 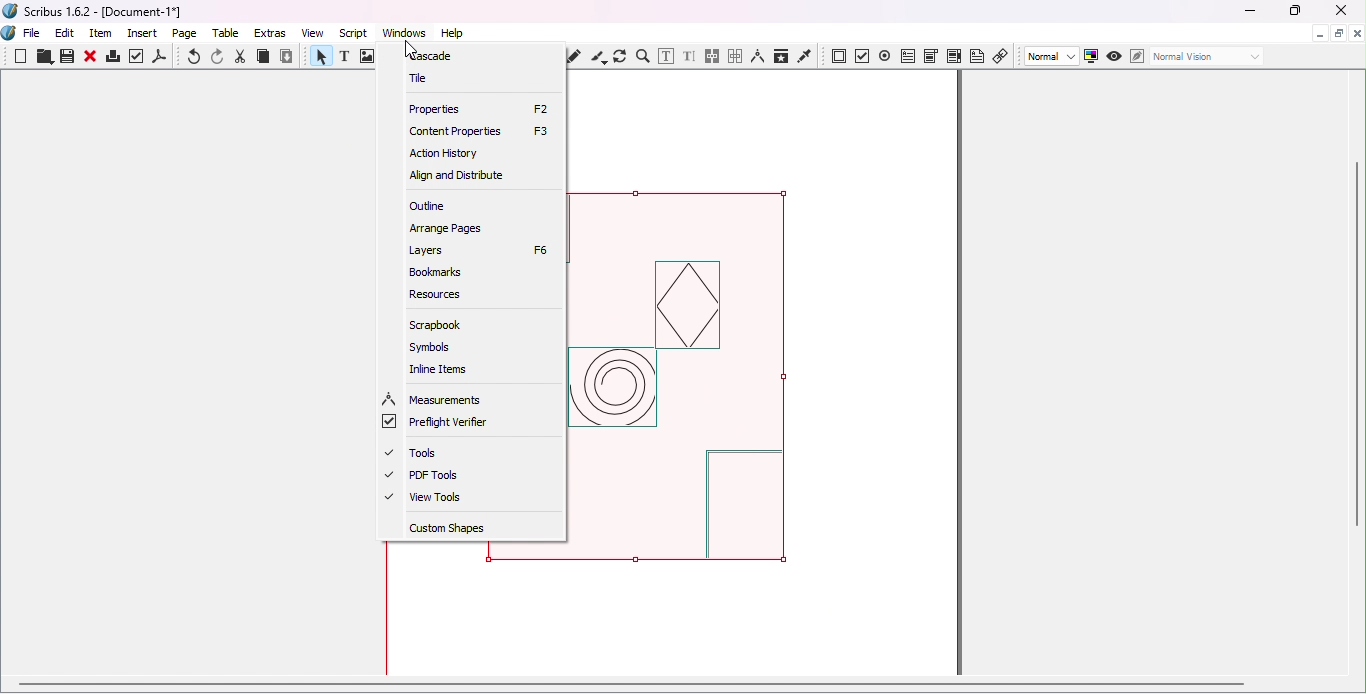 What do you see at coordinates (437, 294) in the screenshot?
I see `Resources` at bounding box center [437, 294].